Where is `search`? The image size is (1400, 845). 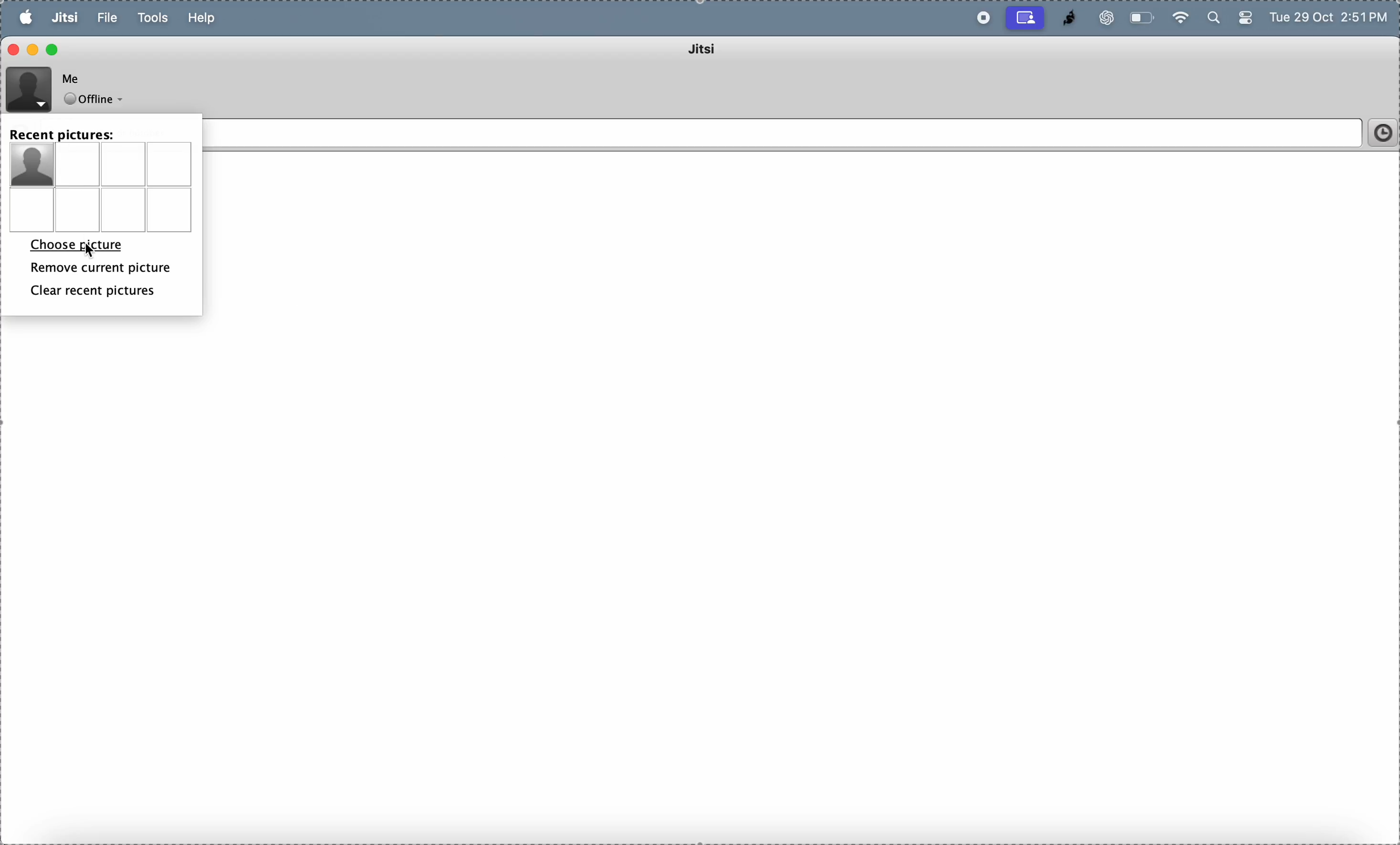
search is located at coordinates (1212, 19).